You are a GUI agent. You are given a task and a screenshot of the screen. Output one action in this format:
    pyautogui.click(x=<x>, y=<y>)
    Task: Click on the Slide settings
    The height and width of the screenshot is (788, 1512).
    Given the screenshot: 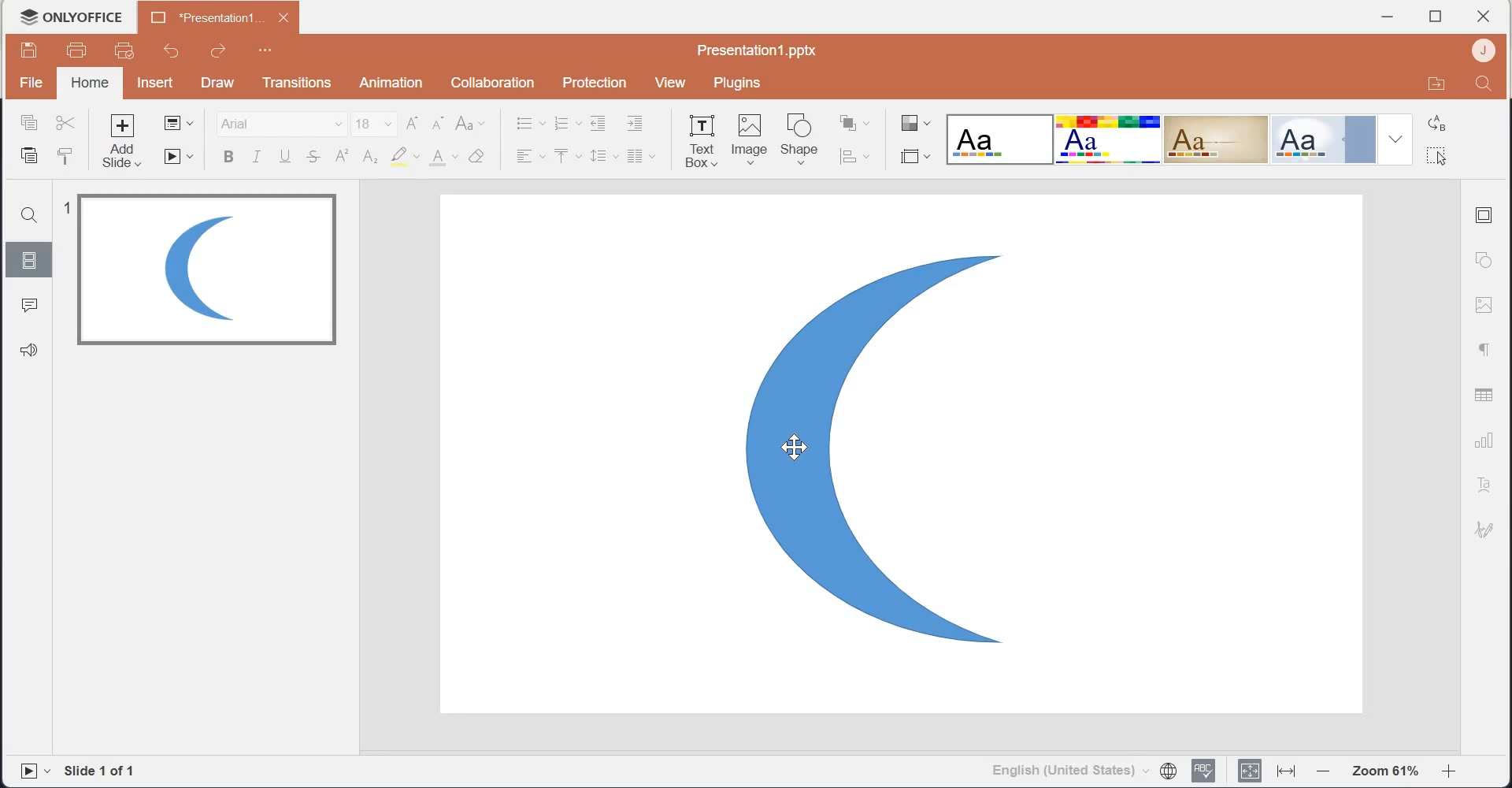 What is the action you would take?
    pyautogui.click(x=1488, y=214)
    